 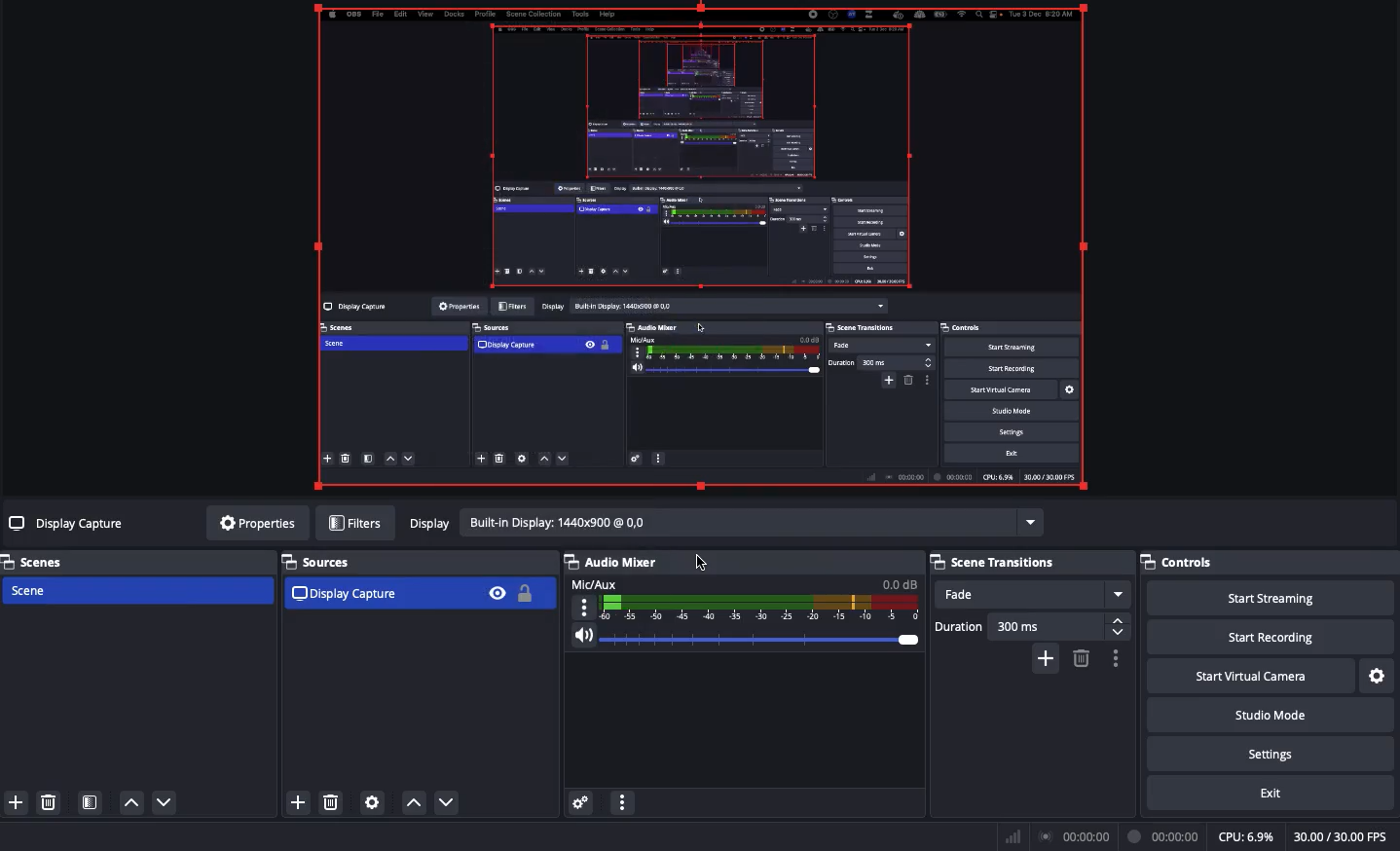 I want to click on Display capture, so click(x=342, y=595).